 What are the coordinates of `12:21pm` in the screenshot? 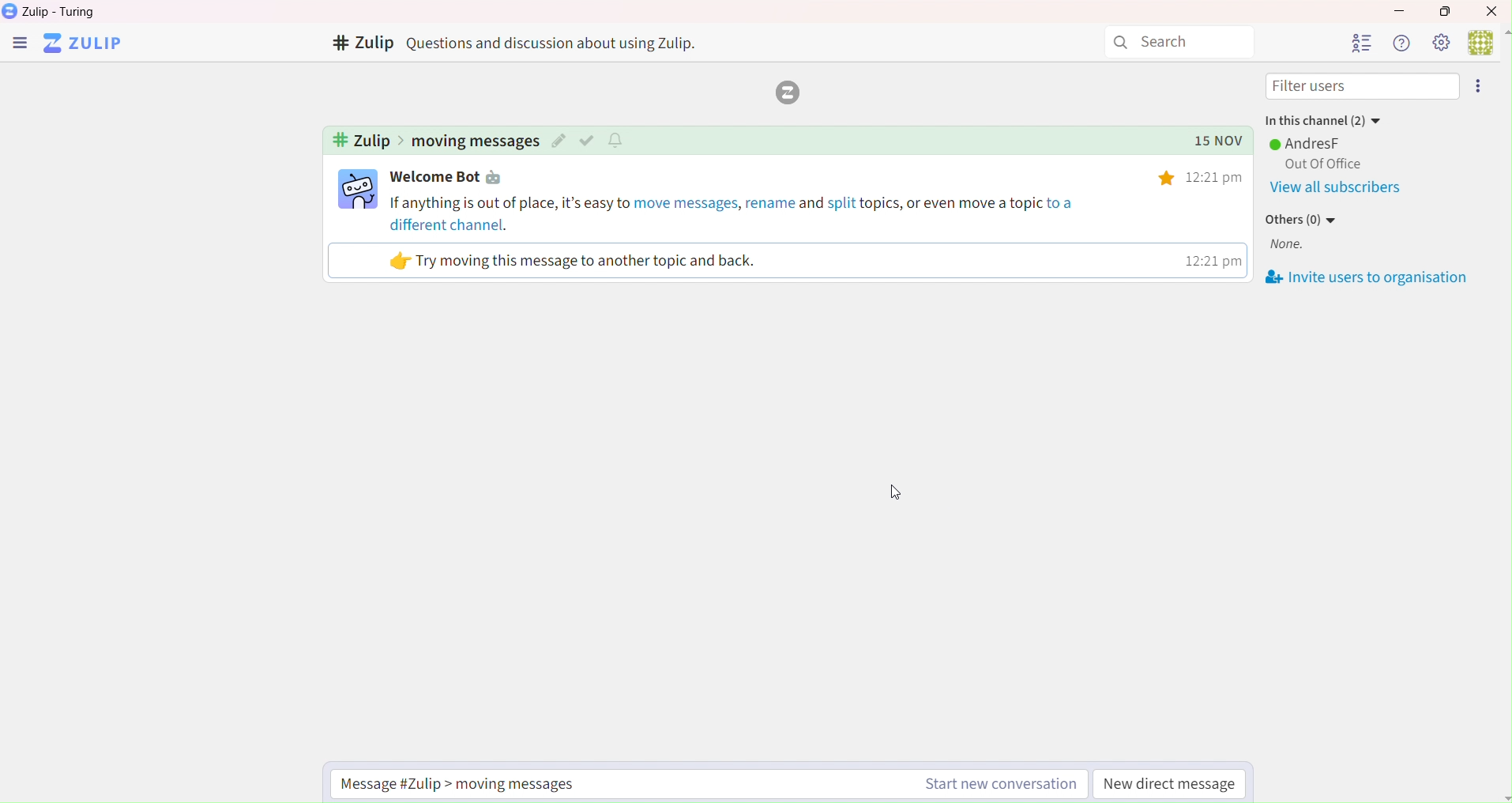 It's located at (1218, 177).